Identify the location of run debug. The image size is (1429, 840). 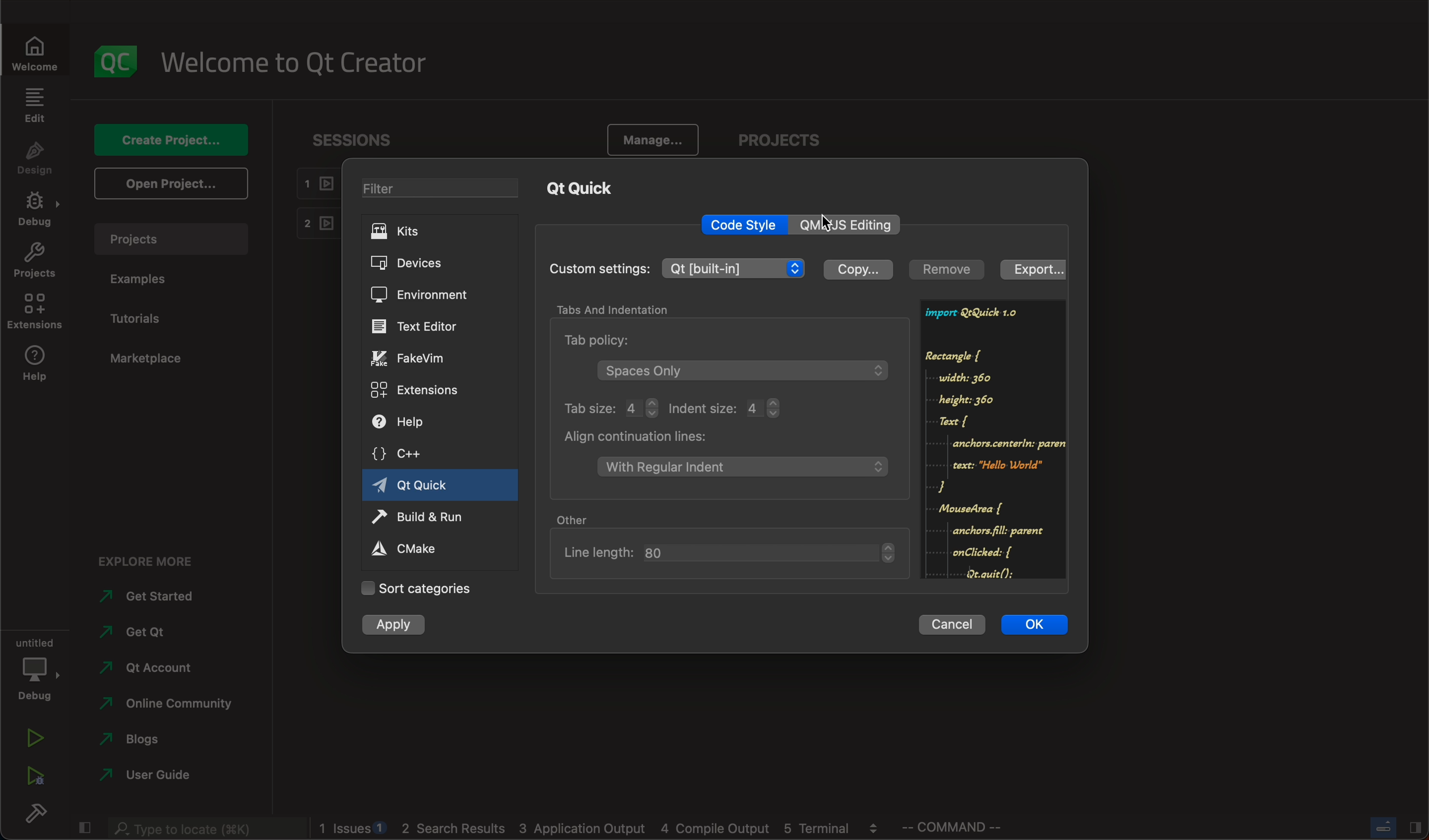
(37, 774).